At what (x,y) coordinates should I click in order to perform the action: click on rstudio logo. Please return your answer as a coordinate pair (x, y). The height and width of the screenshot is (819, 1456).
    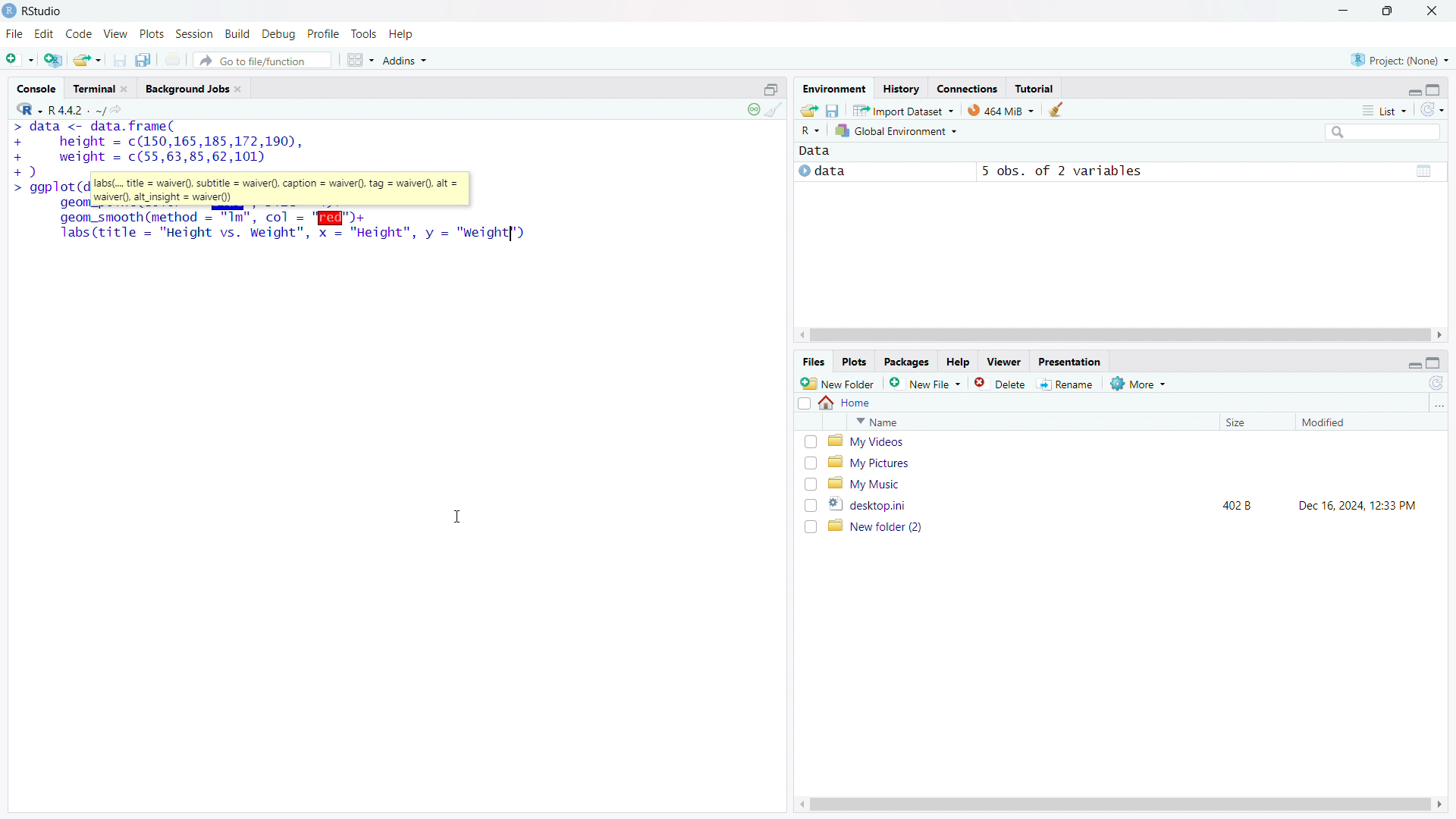
    Looking at the image, I should click on (9, 11).